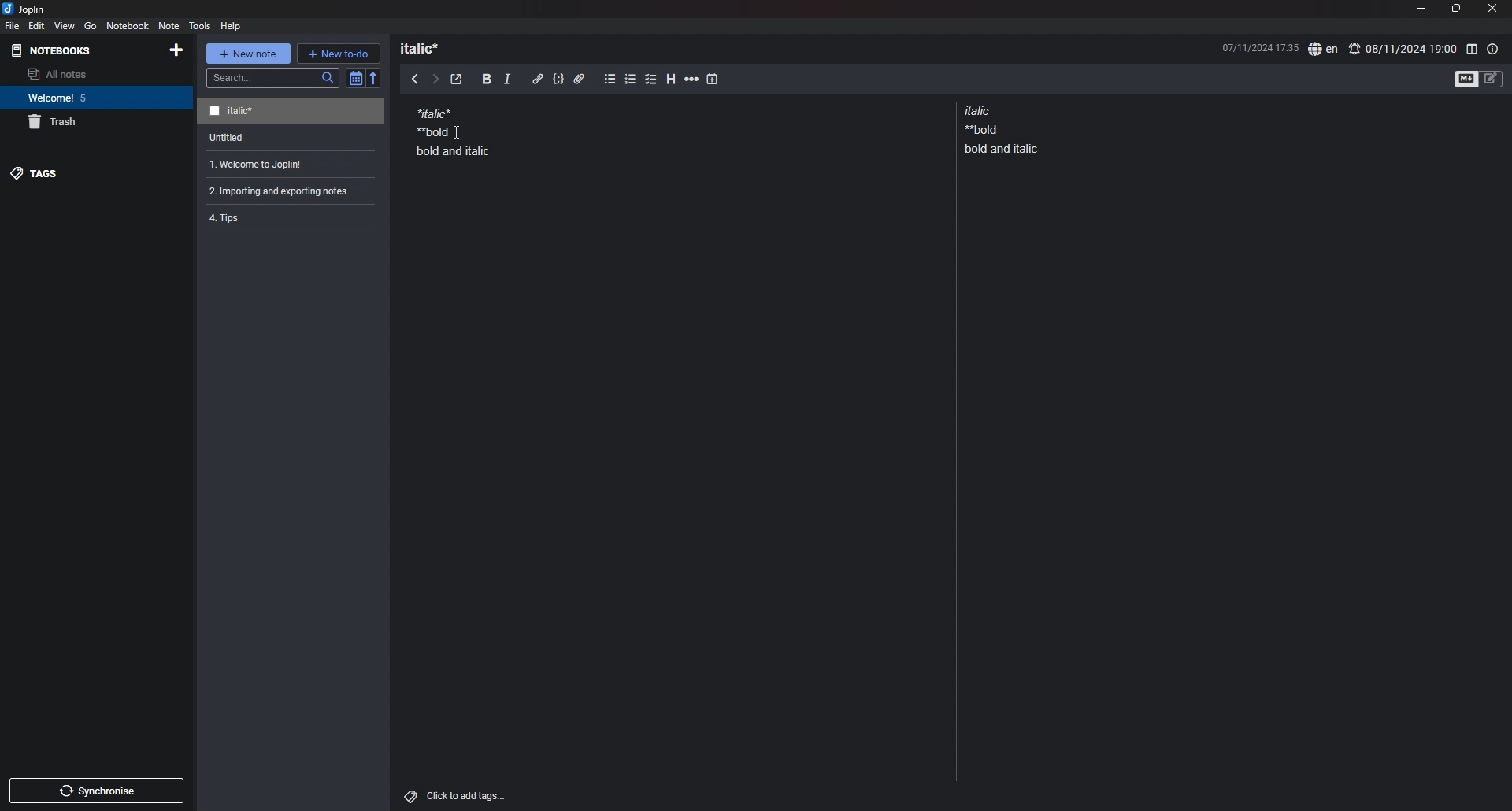 The width and height of the screenshot is (1512, 811). What do you see at coordinates (610, 80) in the screenshot?
I see `bullet list` at bounding box center [610, 80].